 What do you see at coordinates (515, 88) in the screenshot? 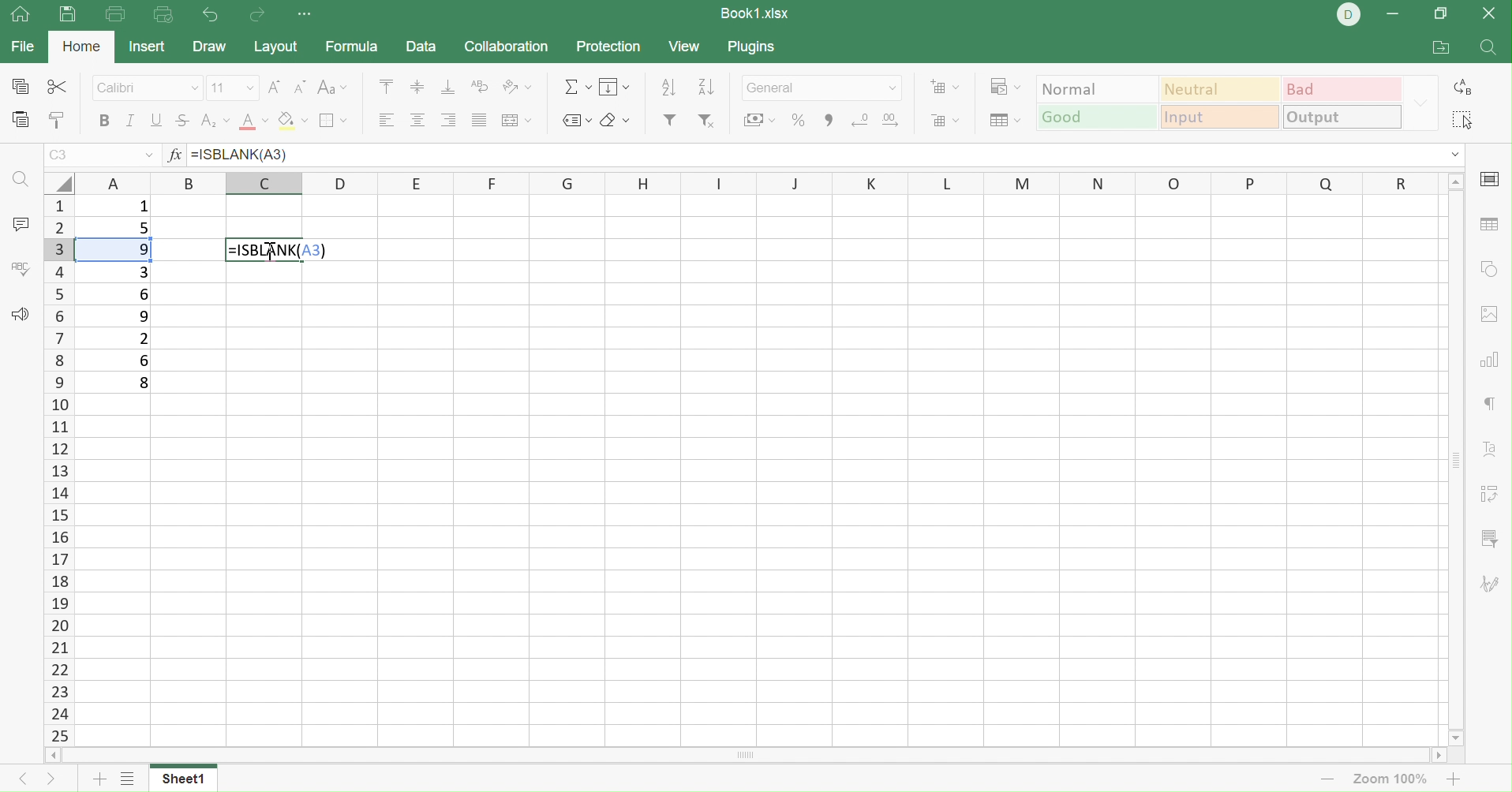
I see `Orientation` at bounding box center [515, 88].